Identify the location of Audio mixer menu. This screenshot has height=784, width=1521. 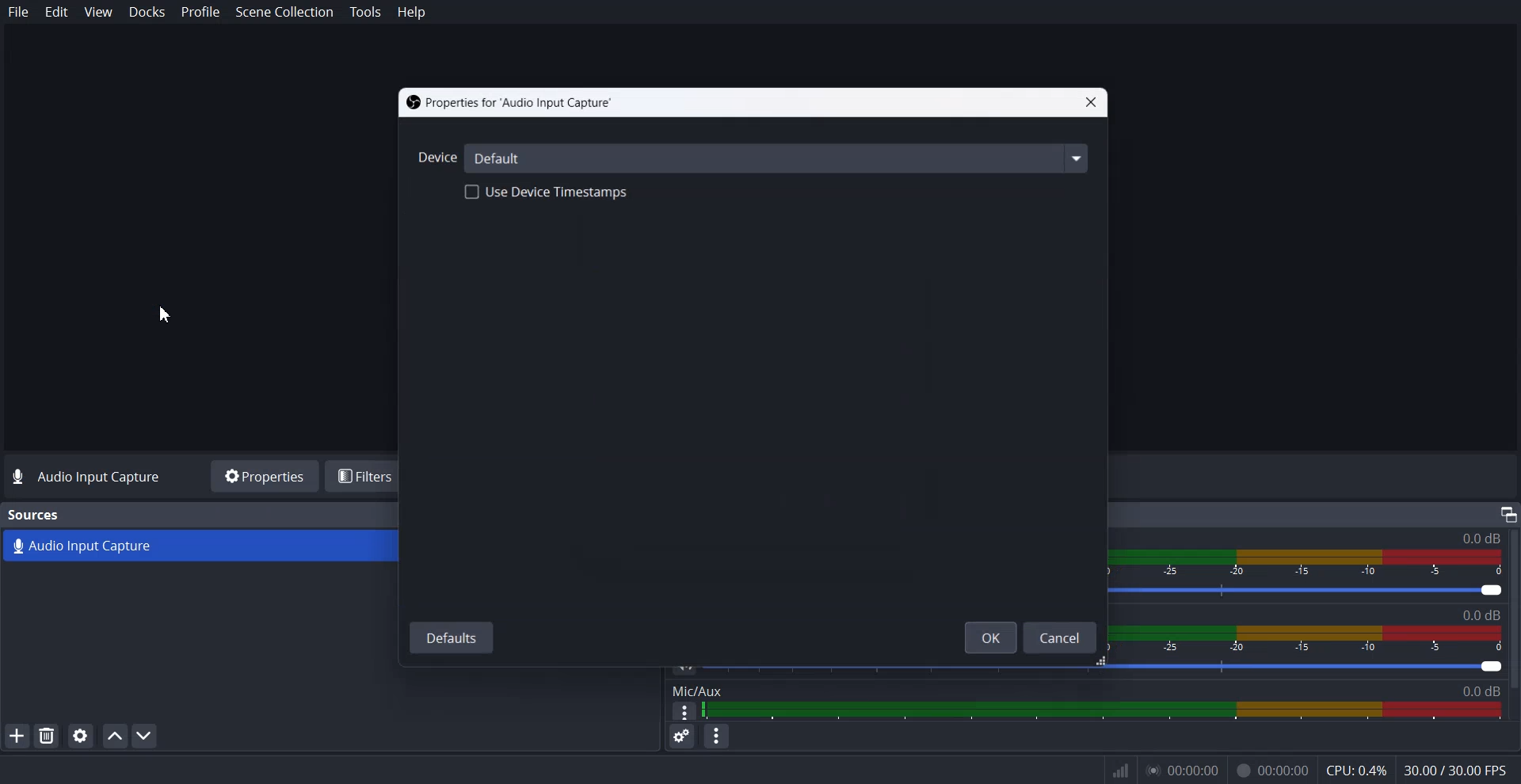
(716, 736).